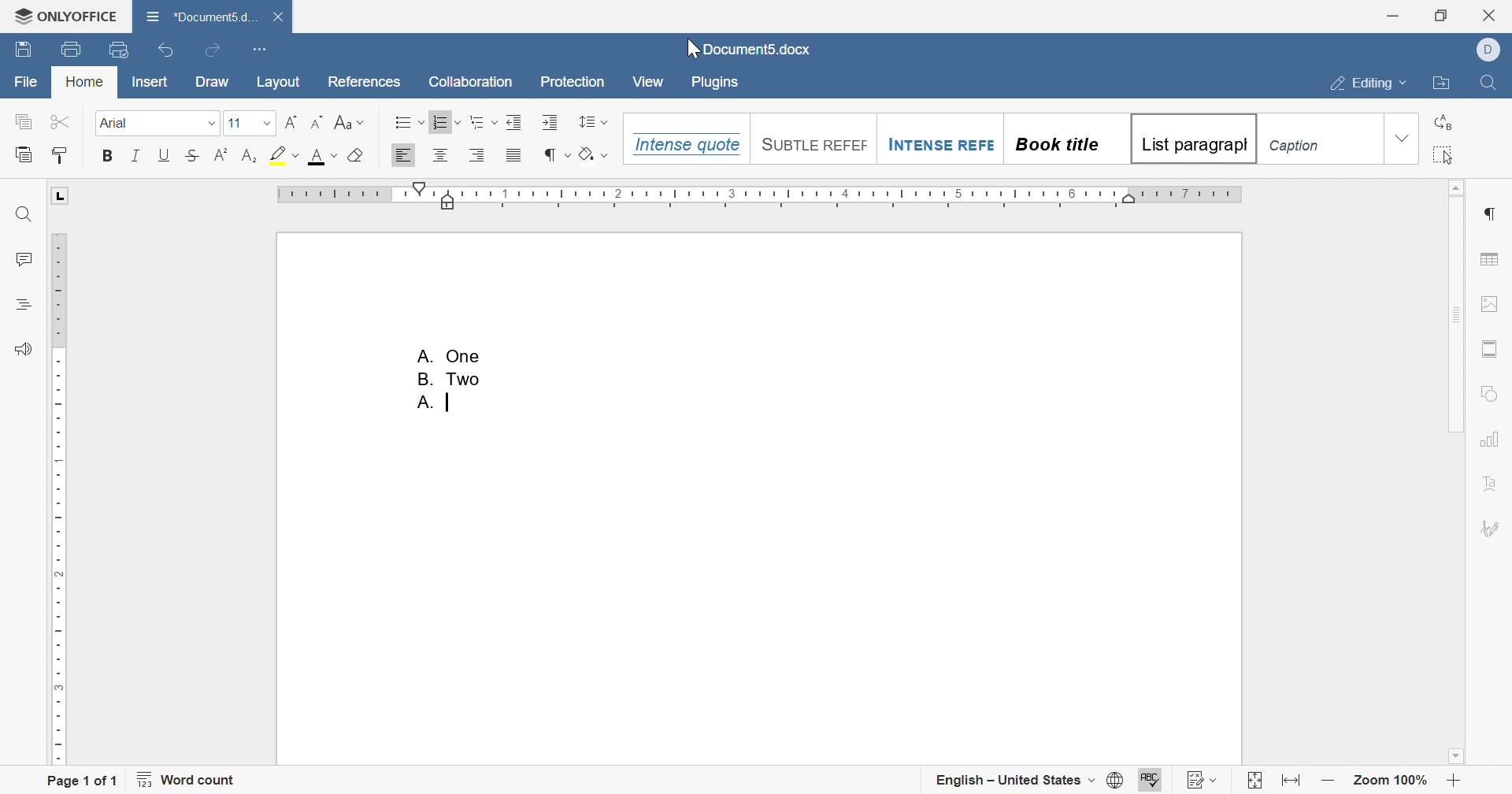 Image resolution: width=1512 pixels, height=794 pixels. Describe the element at coordinates (1455, 783) in the screenshot. I see `zoom in` at that location.